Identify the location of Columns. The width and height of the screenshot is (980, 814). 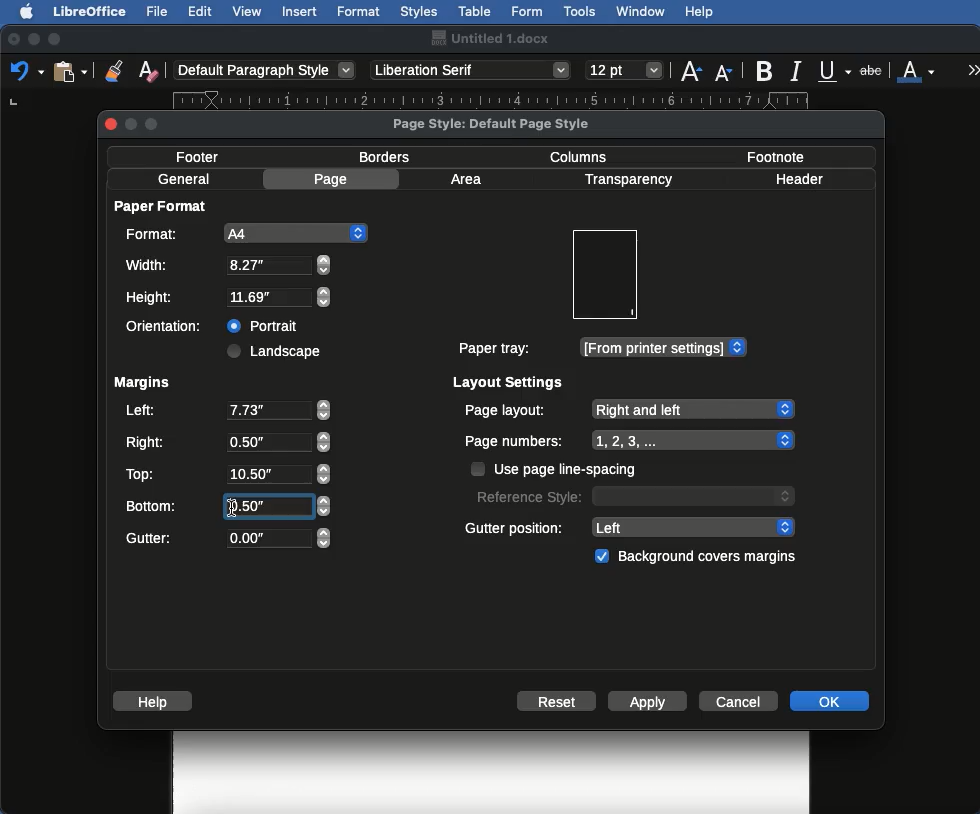
(584, 155).